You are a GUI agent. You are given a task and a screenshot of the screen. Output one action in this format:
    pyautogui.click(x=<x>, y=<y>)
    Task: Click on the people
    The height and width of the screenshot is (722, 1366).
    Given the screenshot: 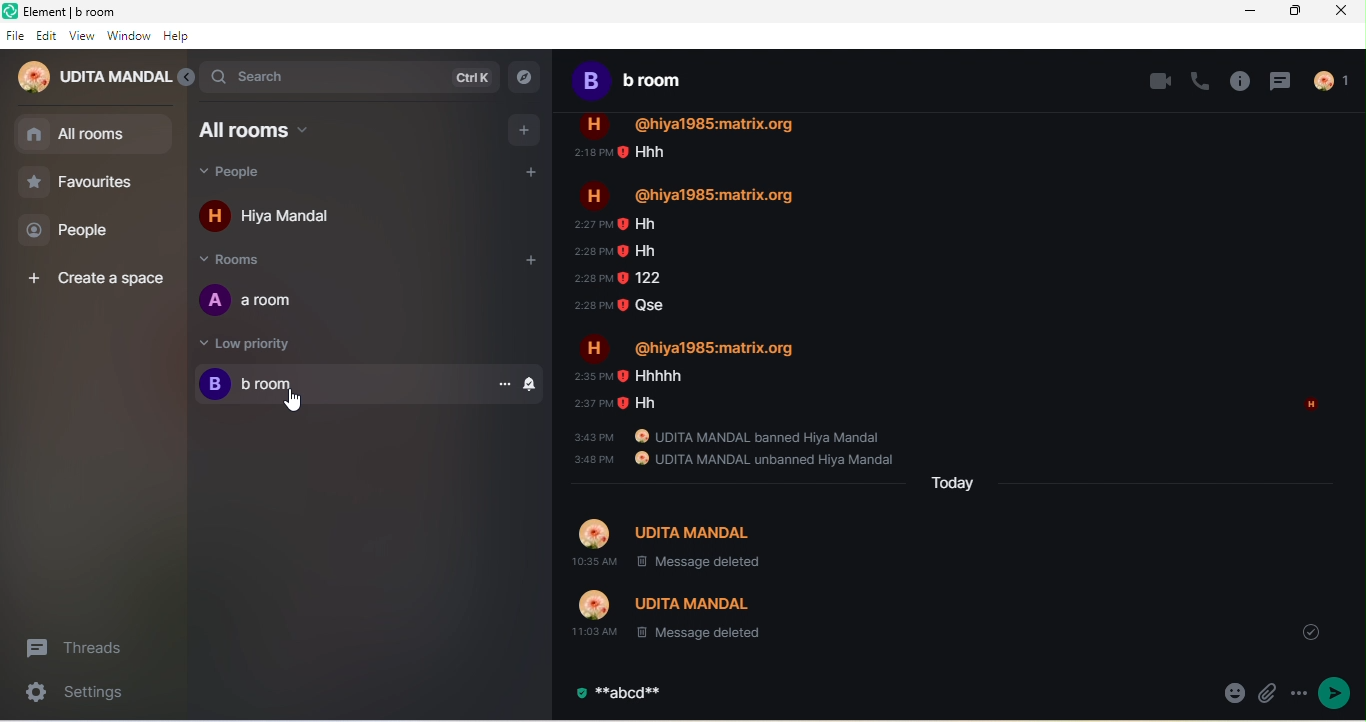 What is the action you would take?
    pyautogui.click(x=1331, y=80)
    